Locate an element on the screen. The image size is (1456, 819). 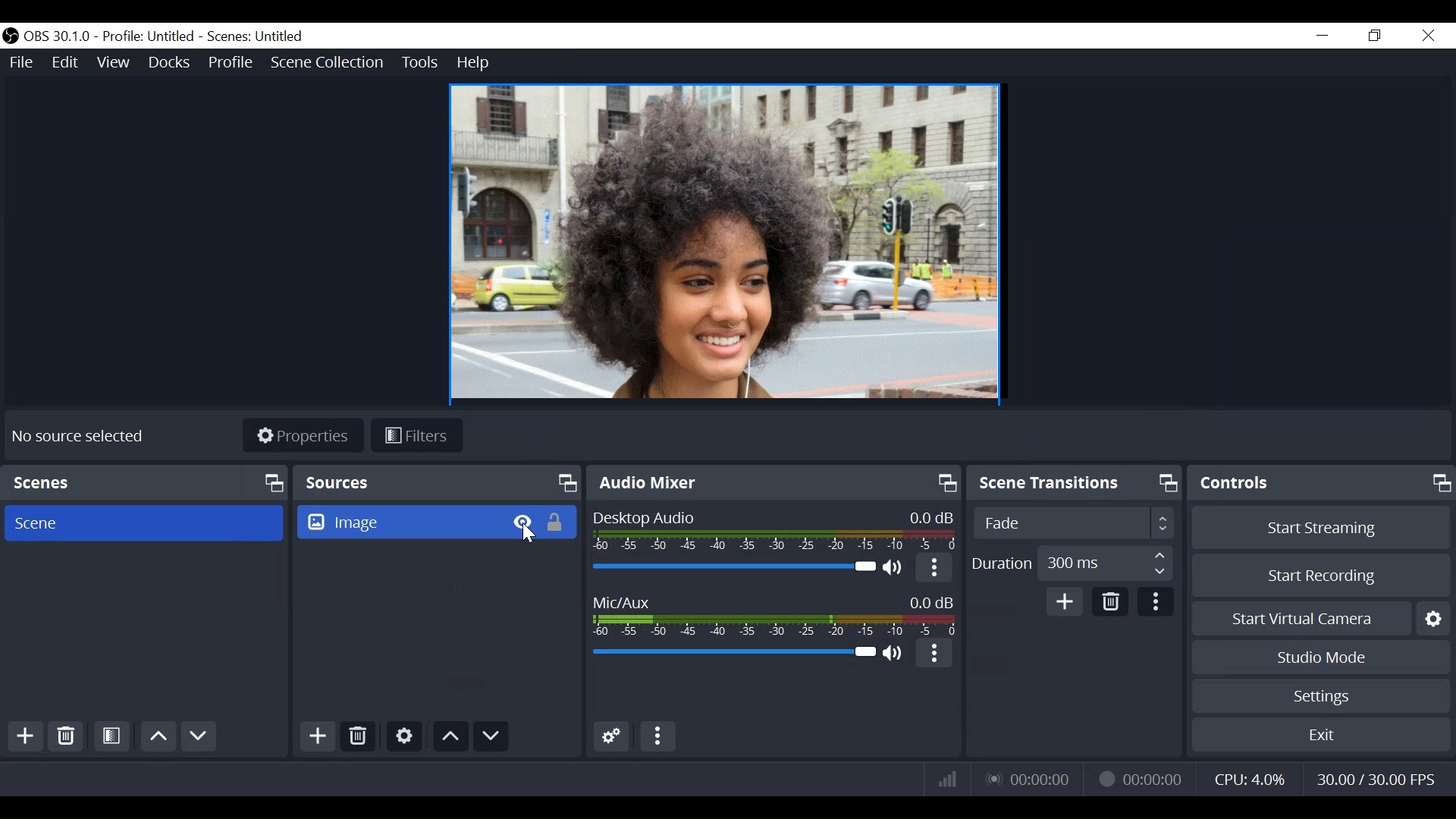
more Options is located at coordinates (1154, 603).